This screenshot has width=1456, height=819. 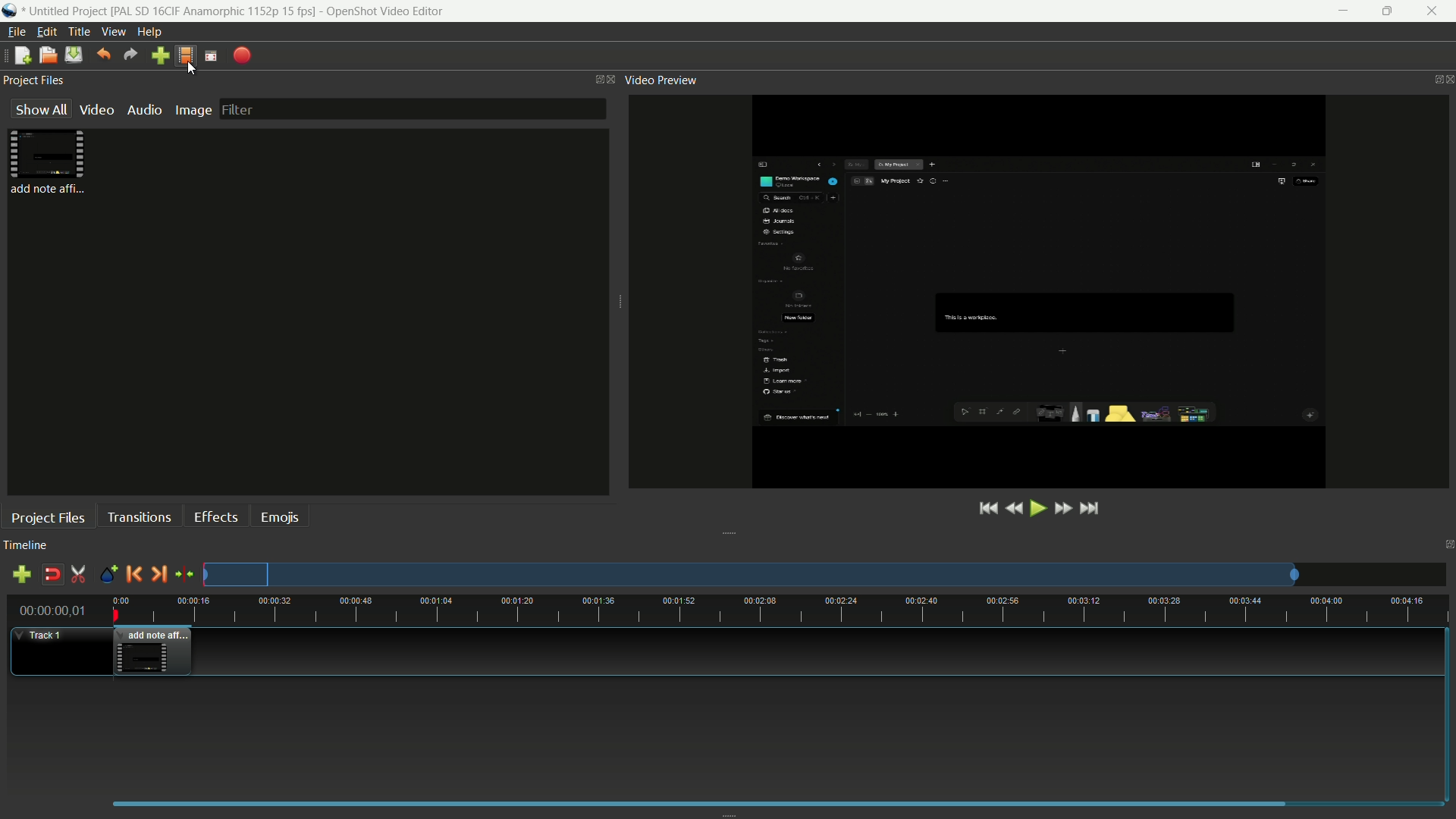 What do you see at coordinates (52, 575) in the screenshot?
I see `disable snap` at bounding box center [52, 575].